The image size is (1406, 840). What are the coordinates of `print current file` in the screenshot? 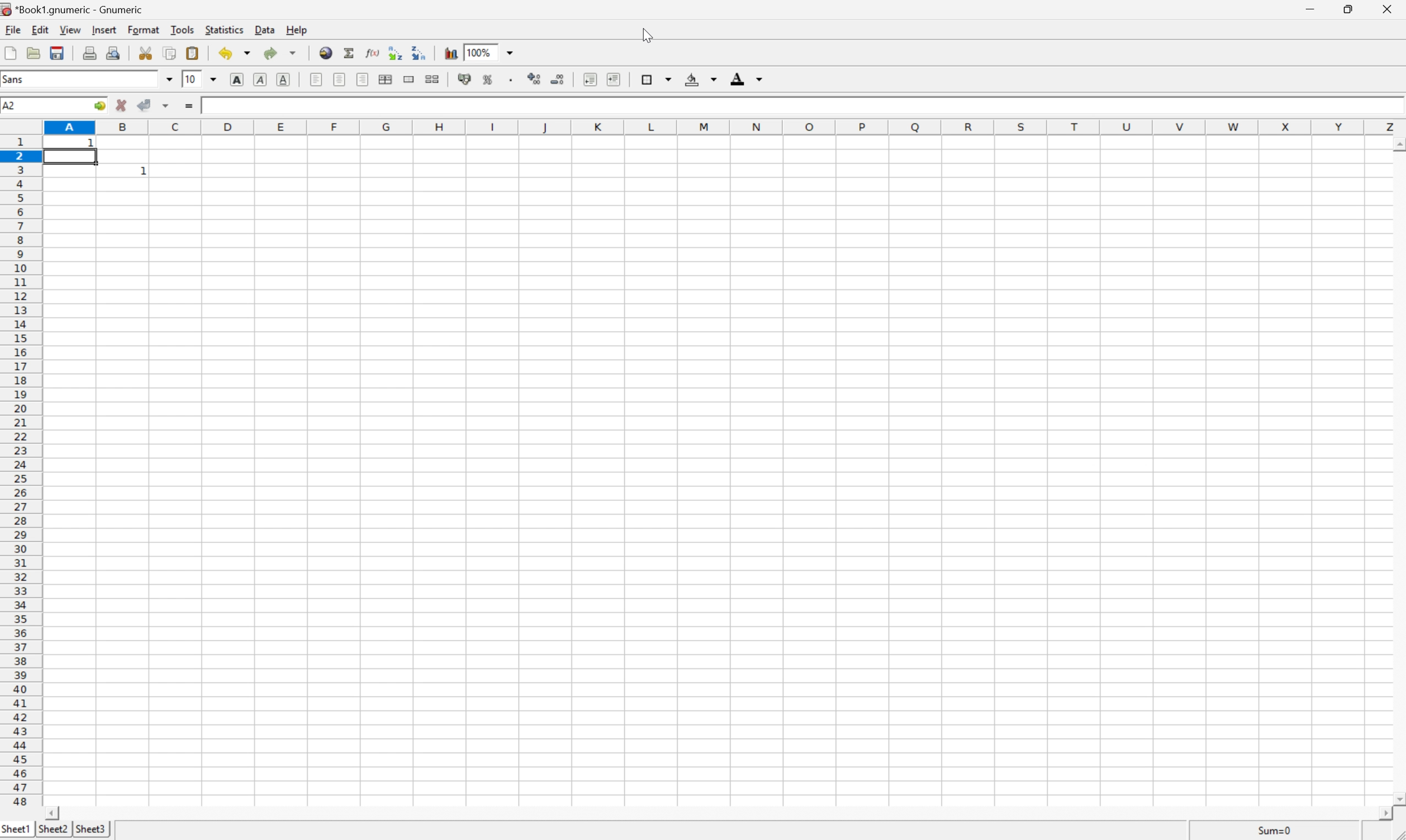 It's located at (90, 52).